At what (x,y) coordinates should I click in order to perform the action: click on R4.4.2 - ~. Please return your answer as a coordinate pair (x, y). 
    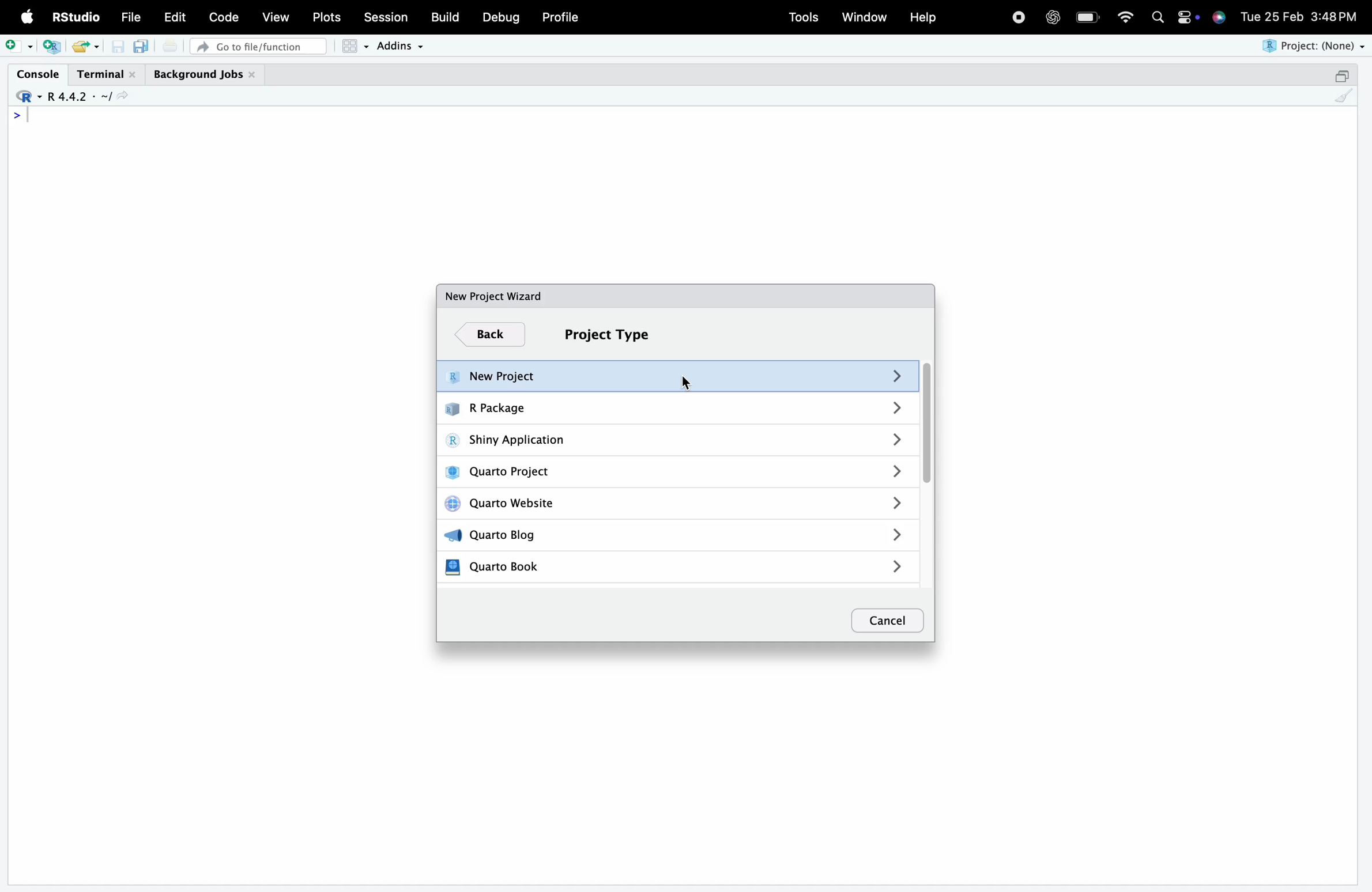
    Looking at the image, I should click on (77, 97).